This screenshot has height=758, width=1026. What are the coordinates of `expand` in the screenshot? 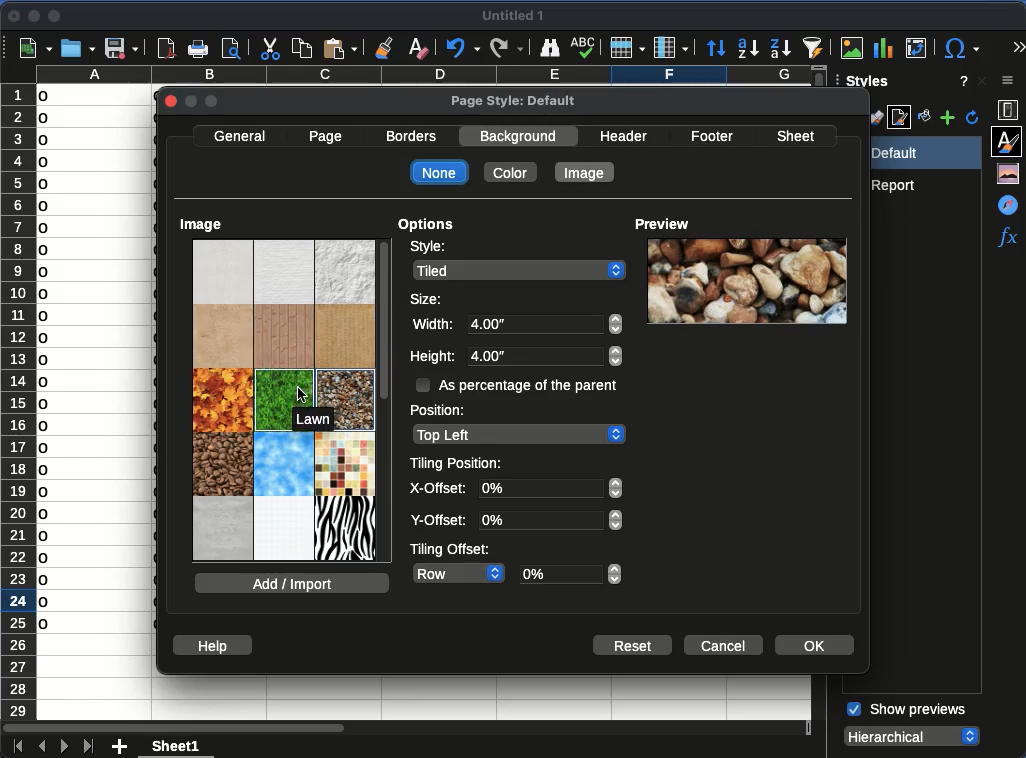 It's located at (1016, 45).